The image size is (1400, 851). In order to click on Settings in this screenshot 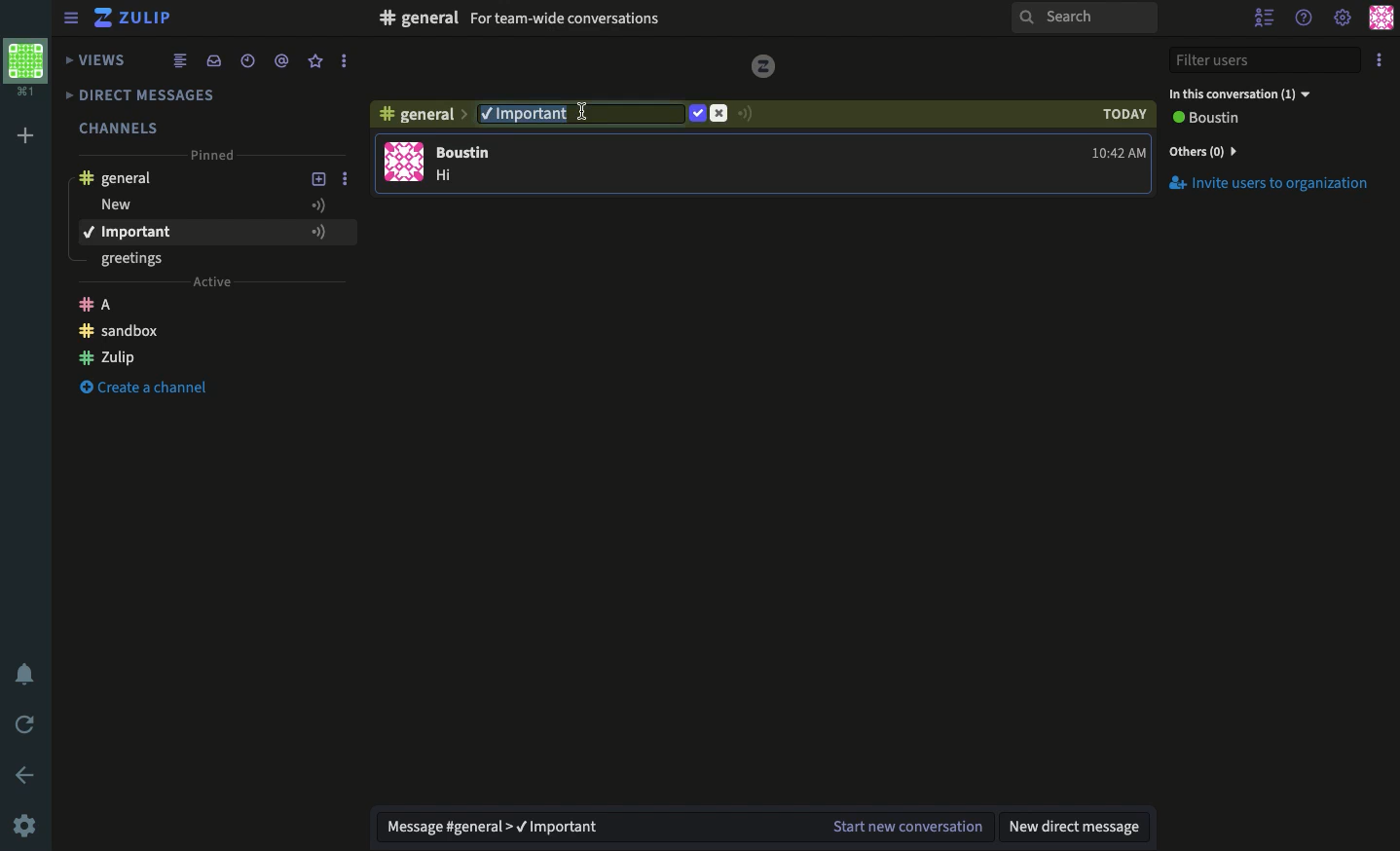, I will do `click(27, 825)`.